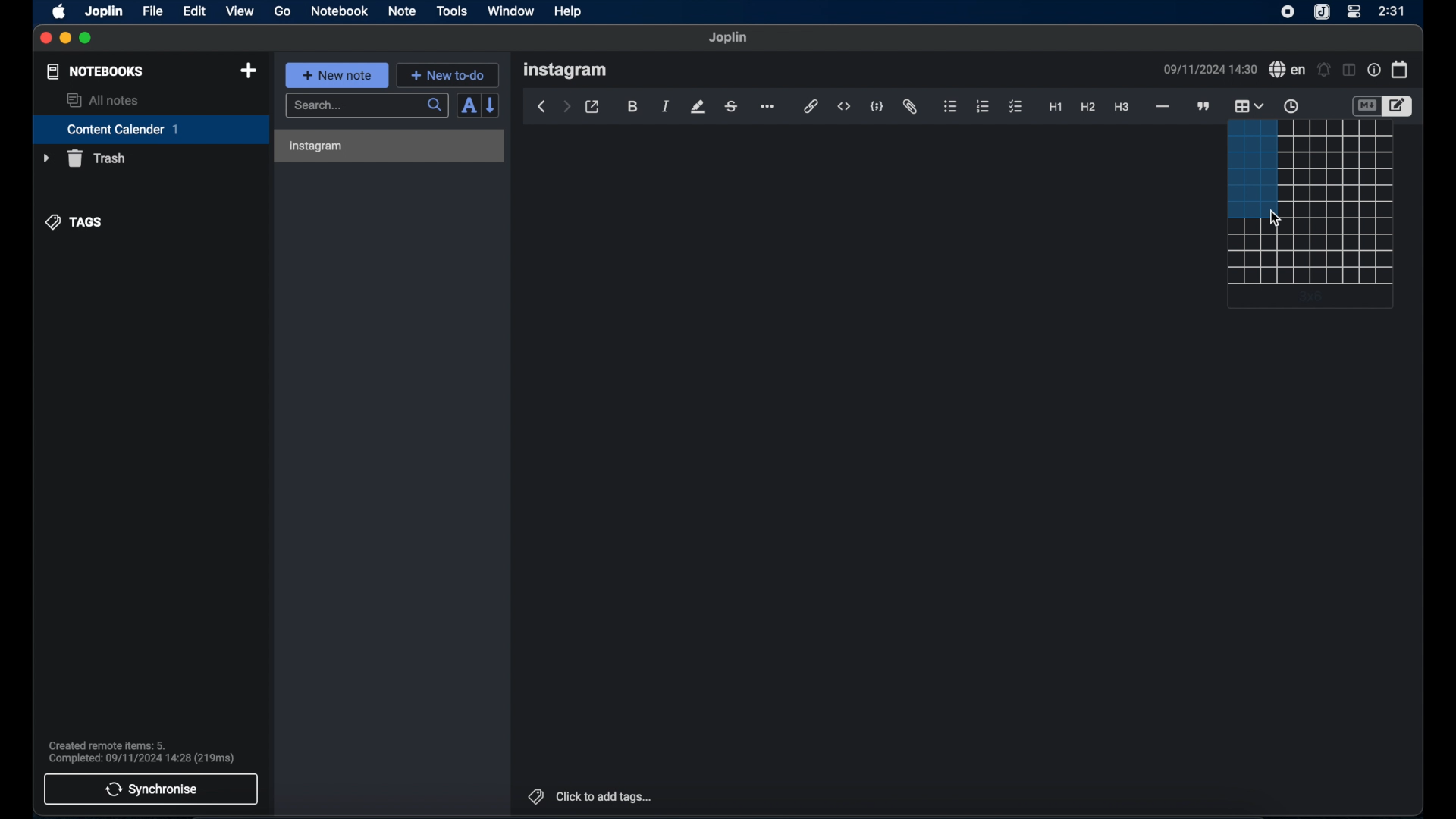 This screenshot has width=1456, height=819. What do you see at coordinates (570, 12) in the screenshot?
I see `help` at bounding box center [570, 12].